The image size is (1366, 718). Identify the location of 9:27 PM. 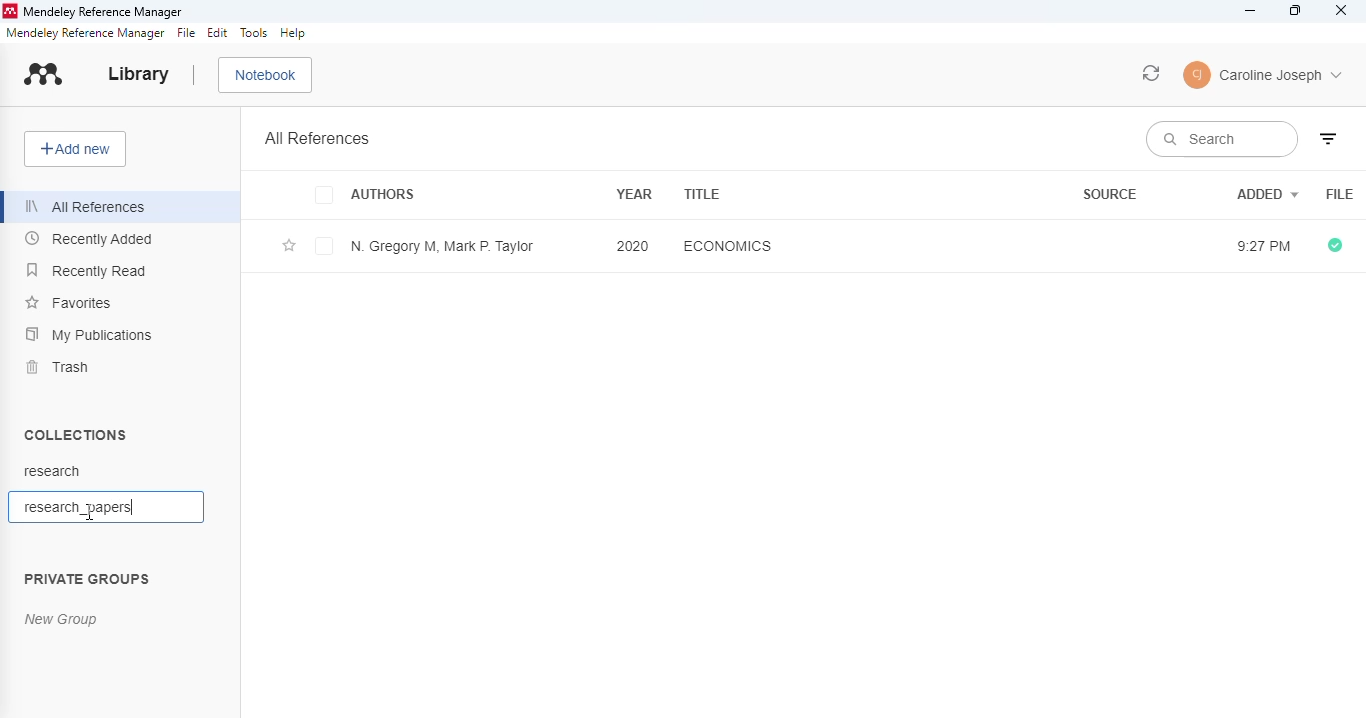
(1260, 247).